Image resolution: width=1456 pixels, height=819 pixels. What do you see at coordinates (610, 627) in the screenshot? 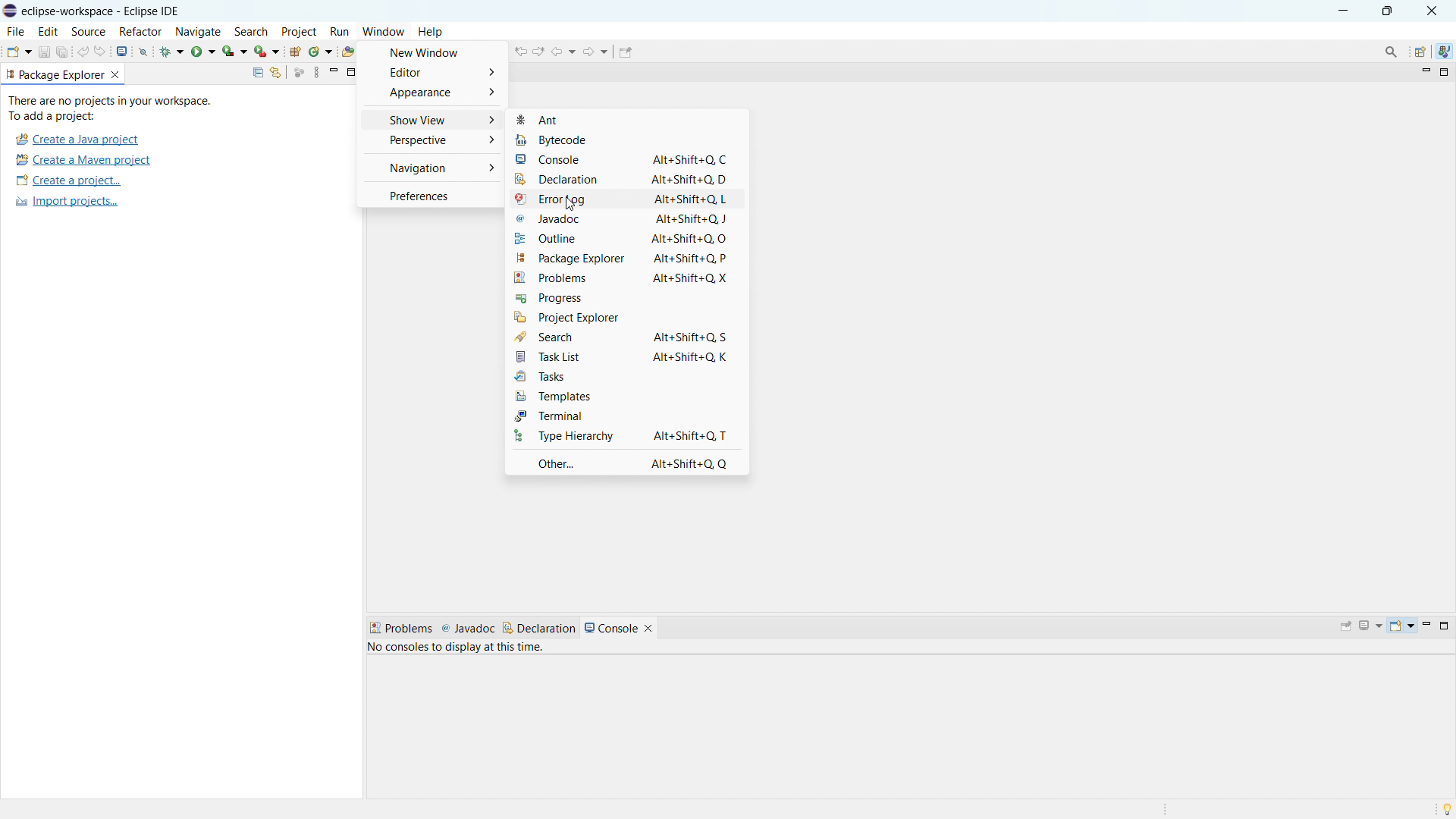
I see `console` at bounding box center [610, 627].